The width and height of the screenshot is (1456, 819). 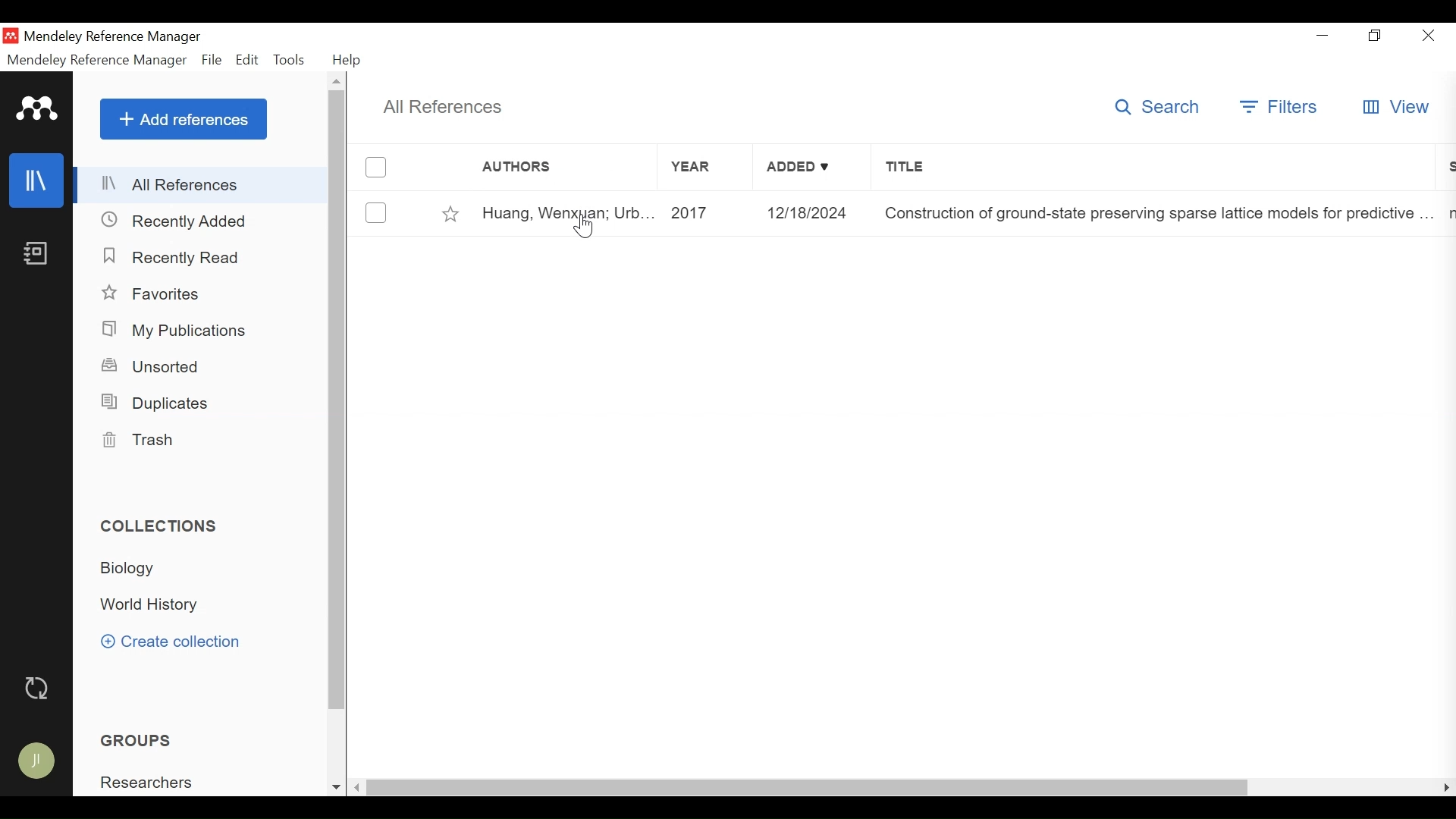 I want to click on Mendeley Reference Manager, so click(x=97, y=61).